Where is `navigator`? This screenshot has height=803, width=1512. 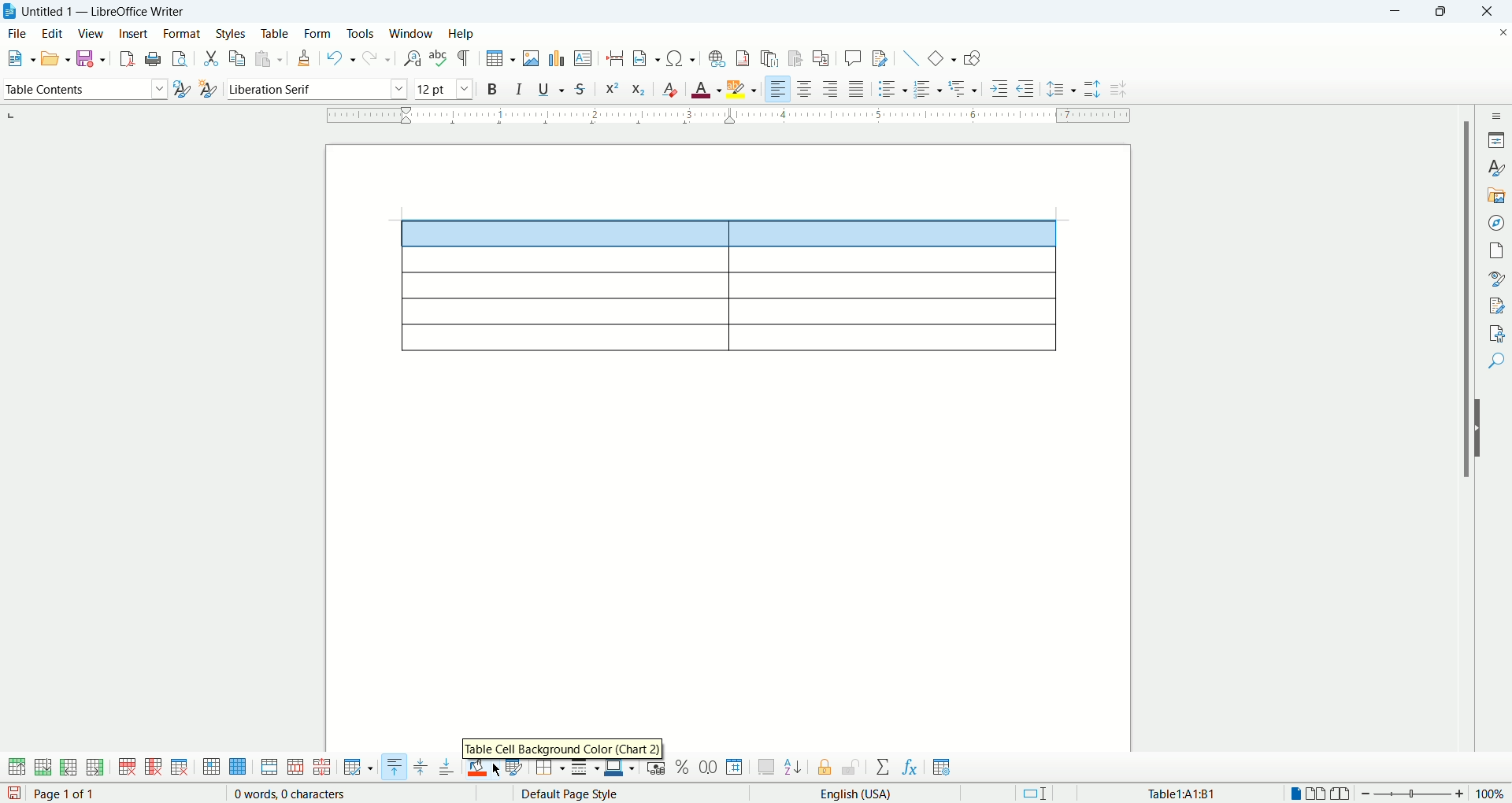
navigator is located at coordinates (1496, 223).